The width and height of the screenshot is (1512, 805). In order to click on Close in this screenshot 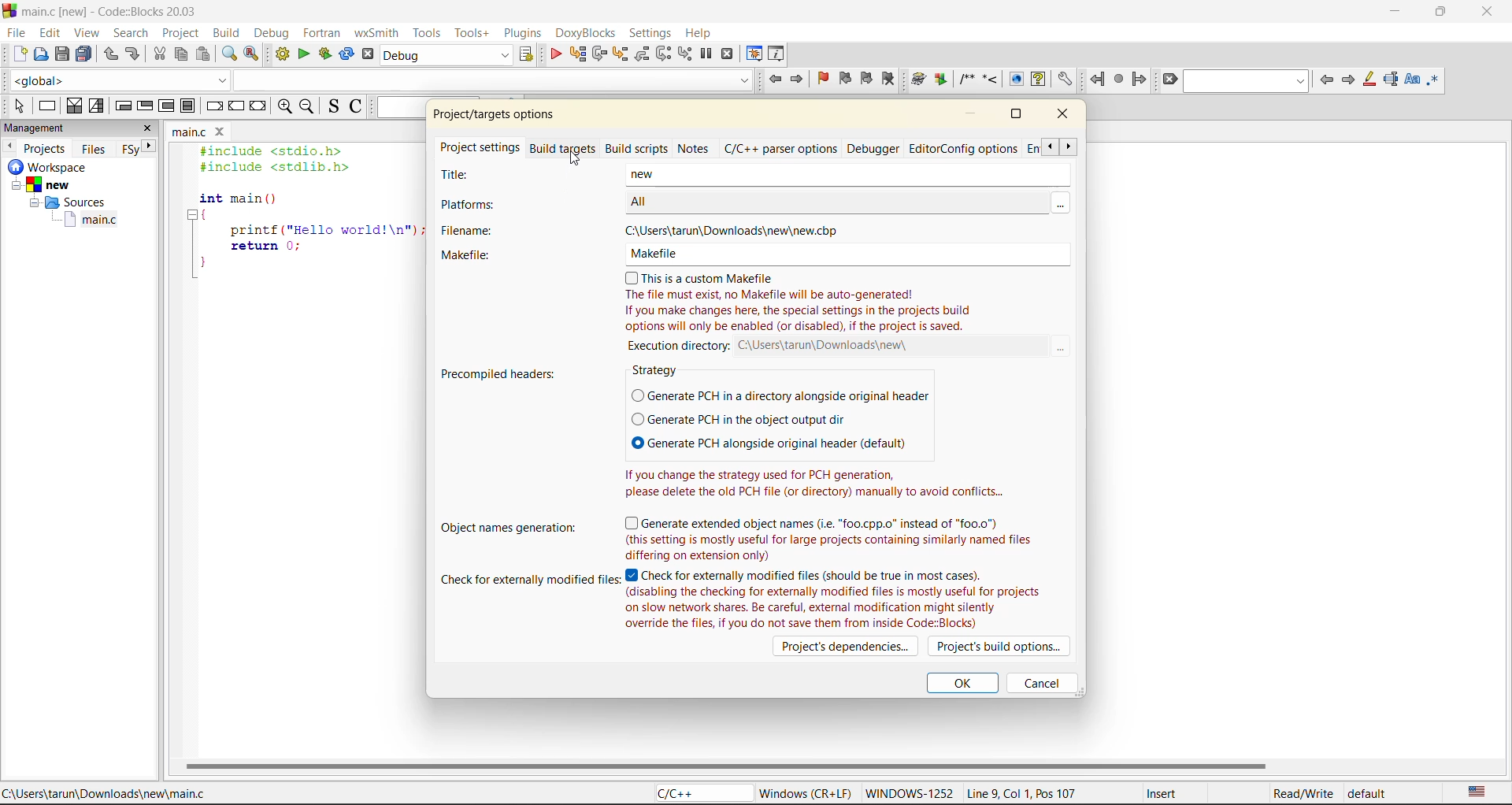, I will do `click(223, 132)`.